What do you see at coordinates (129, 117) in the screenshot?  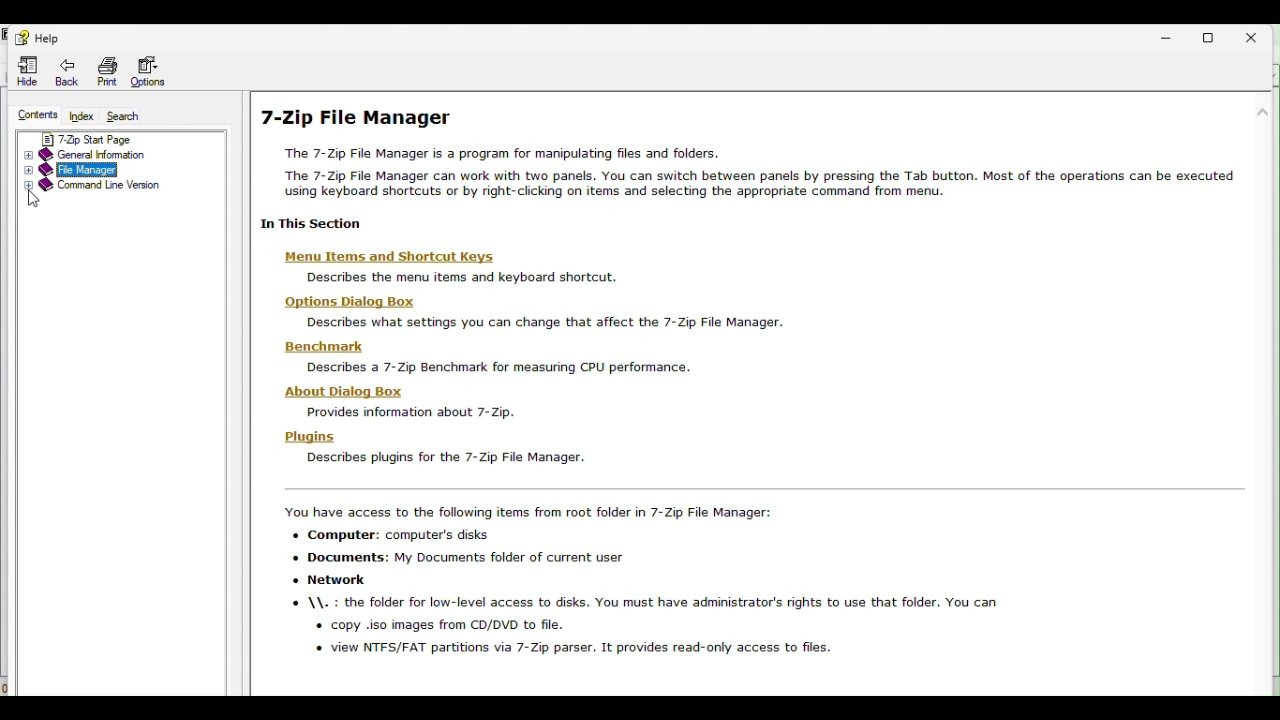 I see `Search` at bounding box center [129, 117].